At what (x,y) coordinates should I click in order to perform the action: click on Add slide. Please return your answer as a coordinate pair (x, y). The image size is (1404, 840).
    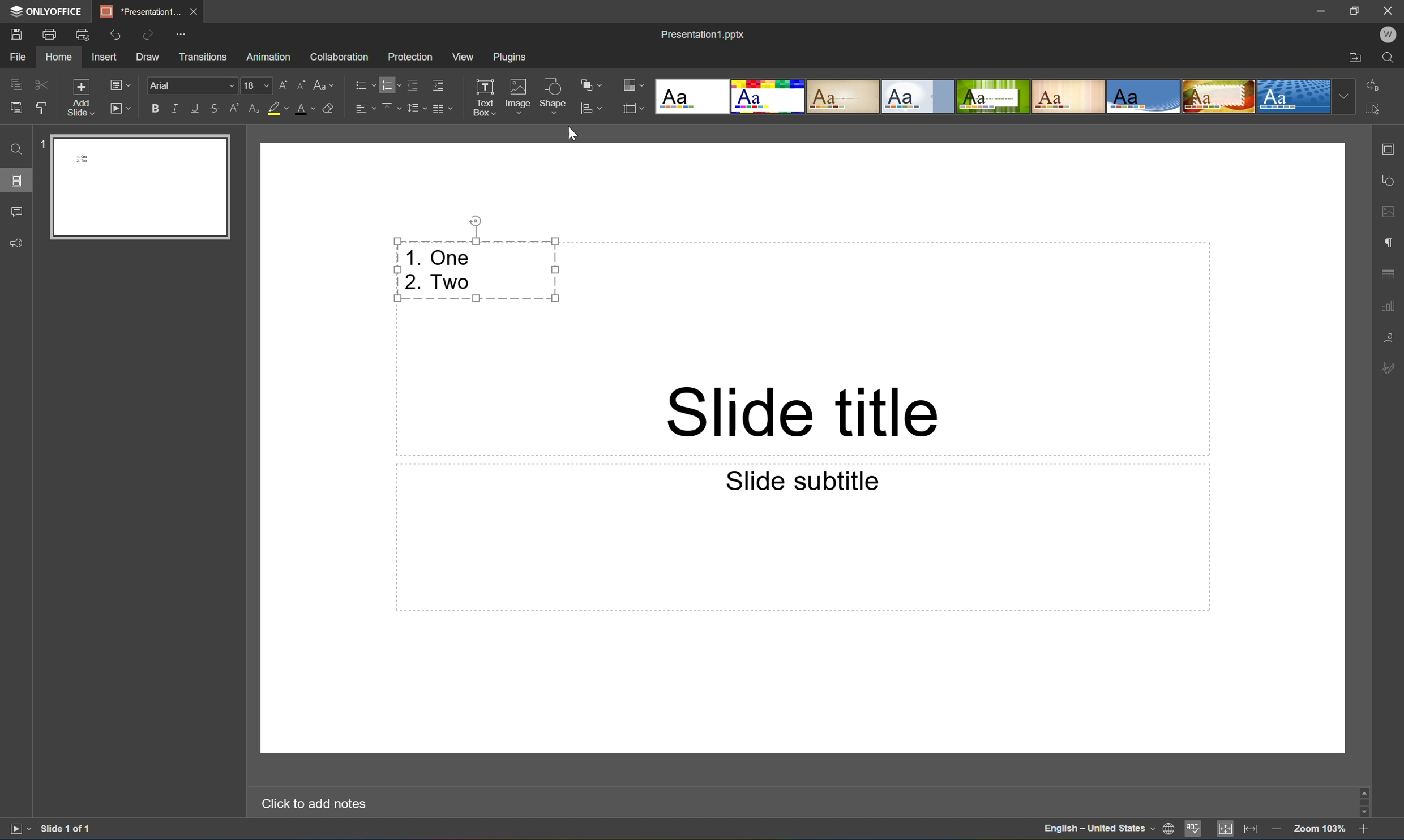
    Looking at the image, I should click on (79, 97).